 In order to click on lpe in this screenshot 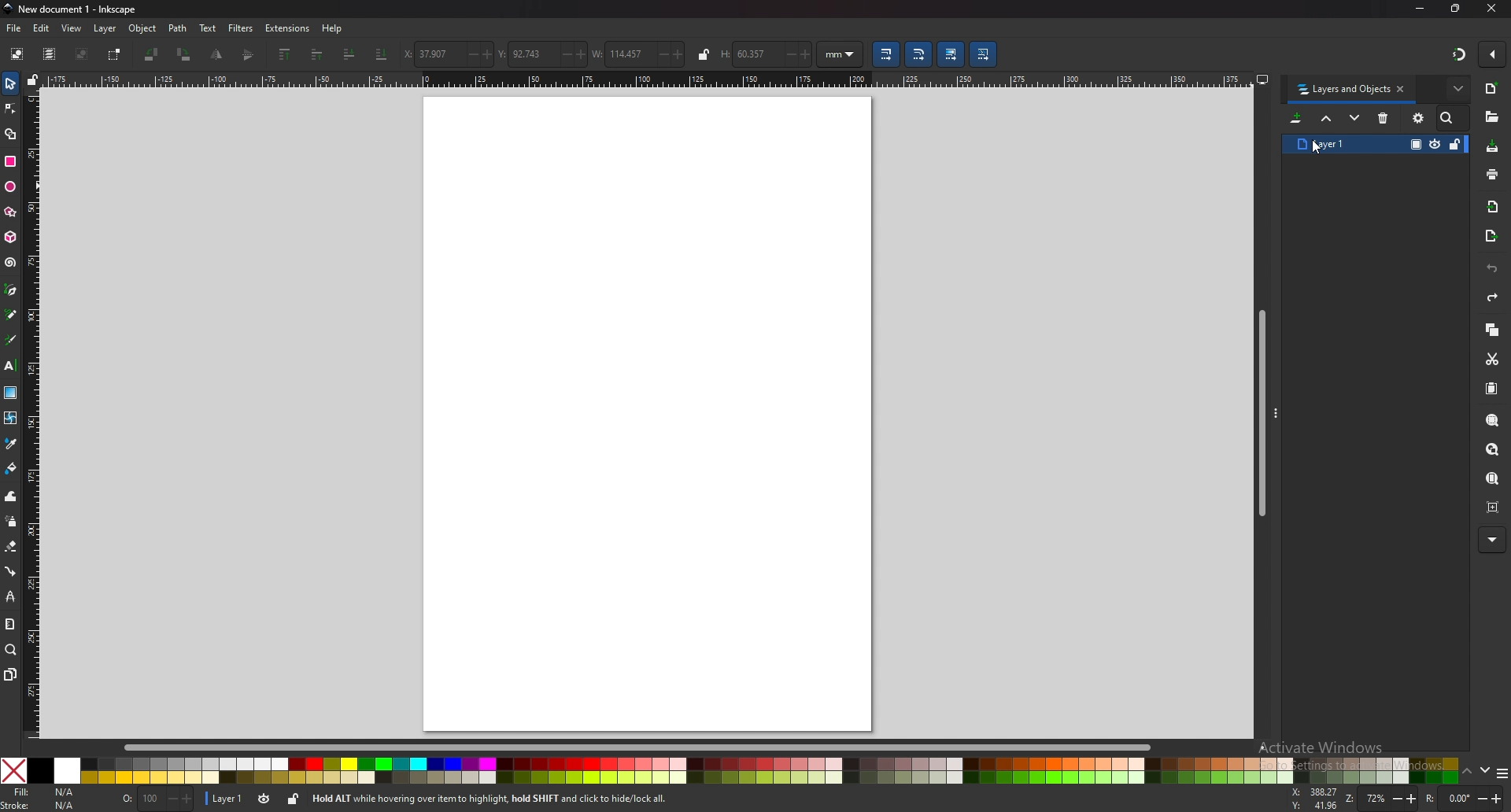, I will do `click(11, 596)`.